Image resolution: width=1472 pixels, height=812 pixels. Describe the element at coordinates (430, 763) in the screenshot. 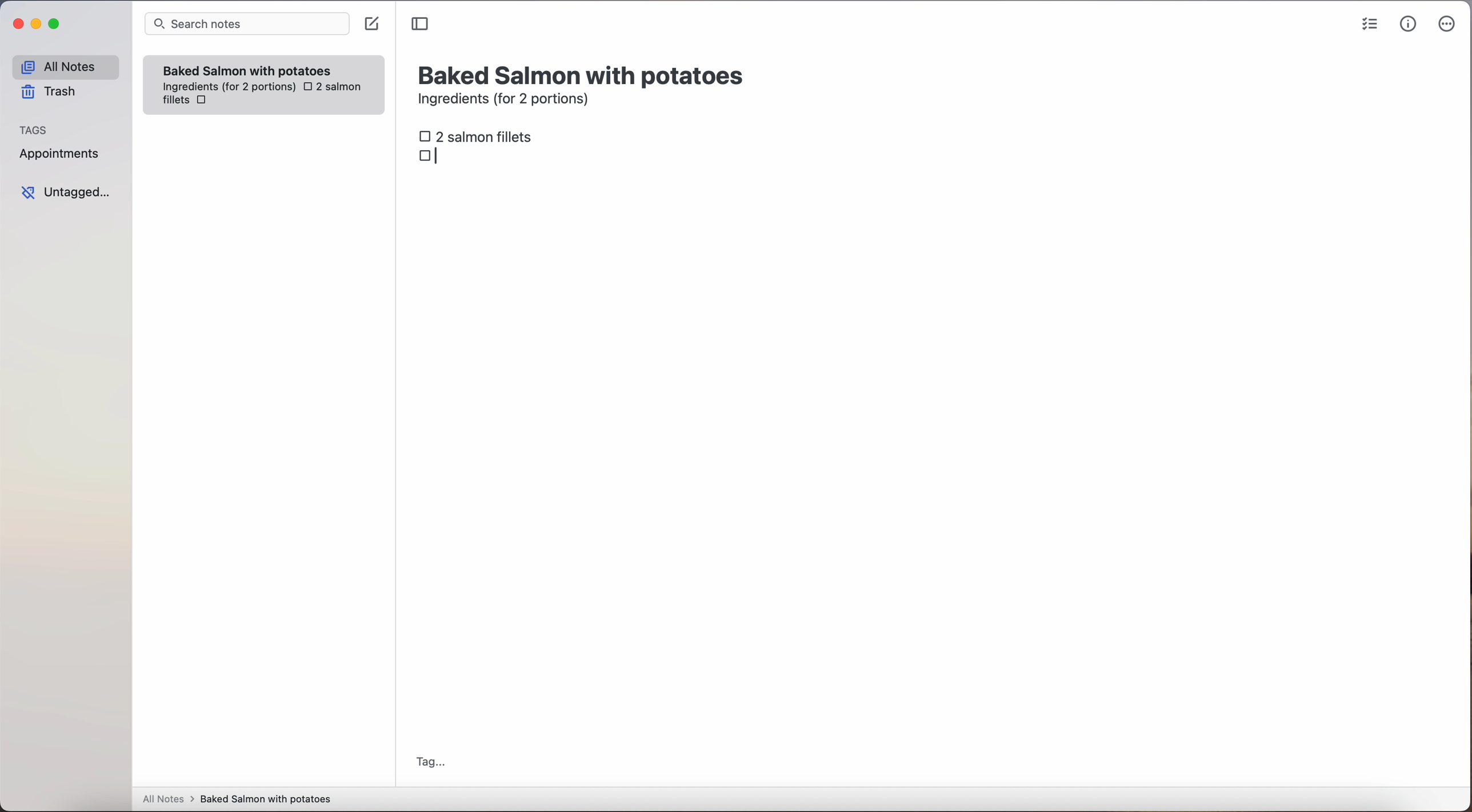

I see `tag` at that location.